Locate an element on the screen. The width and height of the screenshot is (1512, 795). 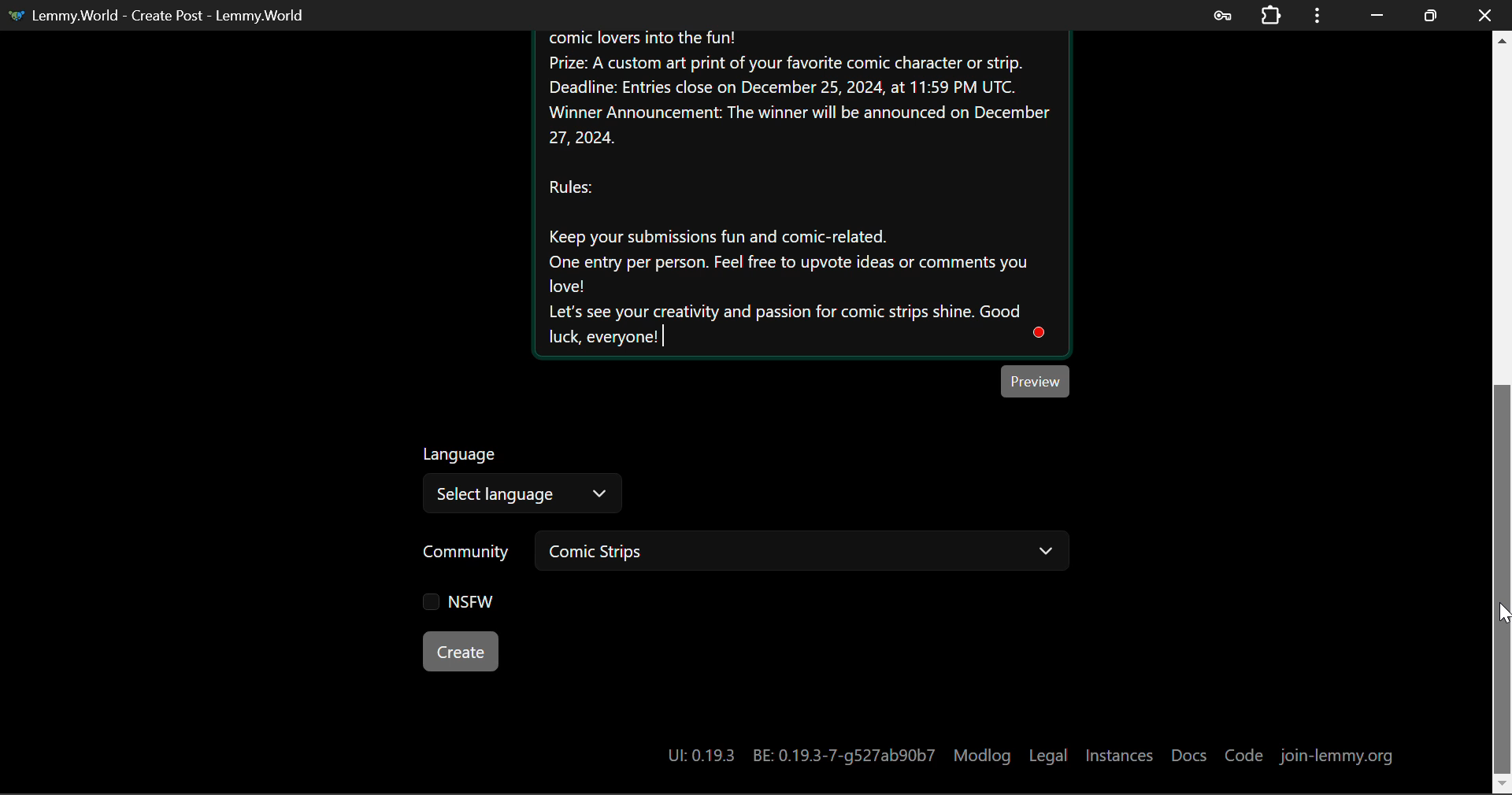
Saved Password Data is located at coordinates (1221, 15).